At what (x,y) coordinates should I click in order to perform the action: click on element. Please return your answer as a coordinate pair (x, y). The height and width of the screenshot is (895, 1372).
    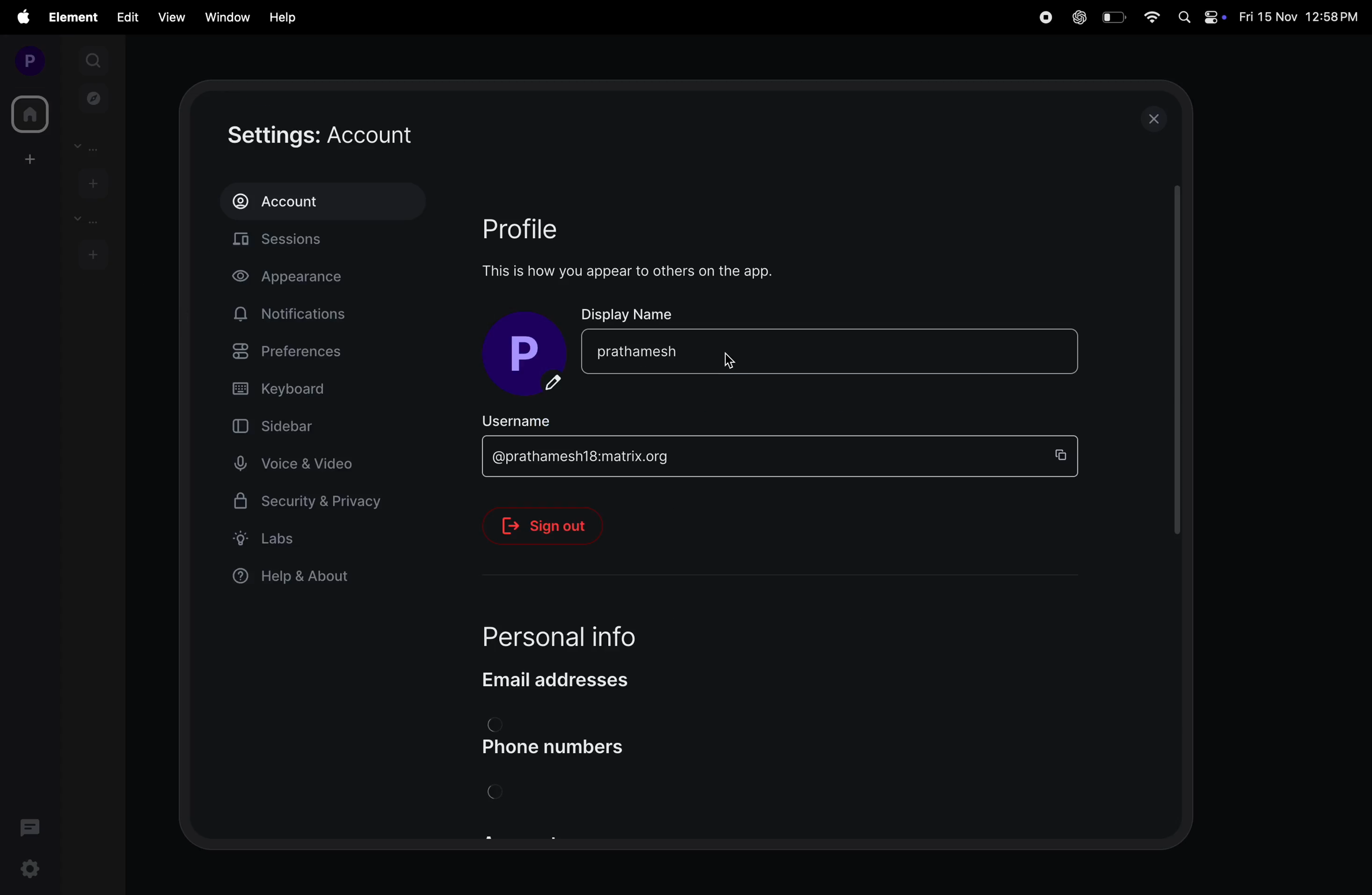
    Looking at the image, I should click on (75, 17).